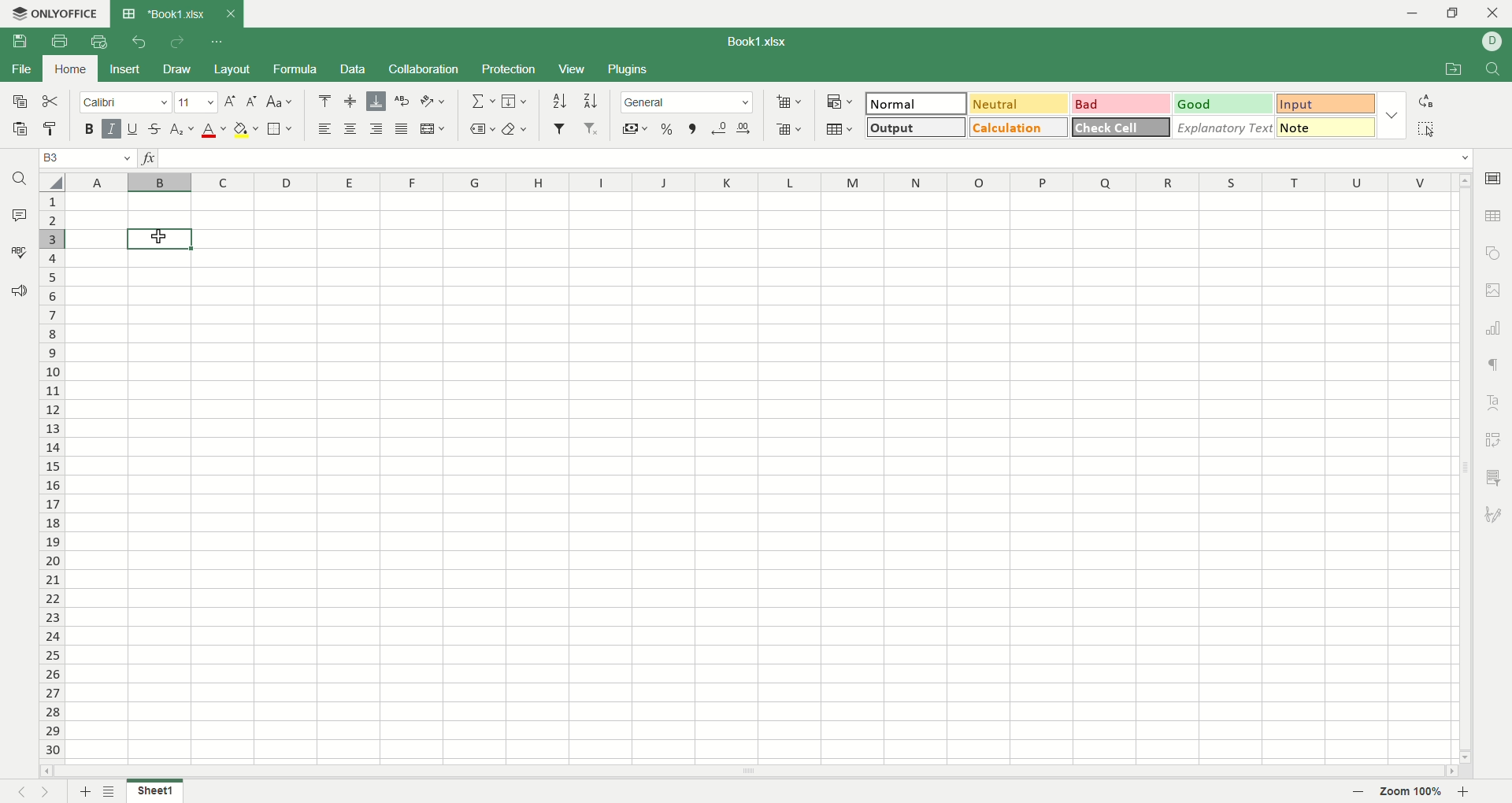 The width and height of the screenshot is (1512, 803). Describe the element at coordinates (86, 790) in the screenshot. I see `New sheet` at that location.